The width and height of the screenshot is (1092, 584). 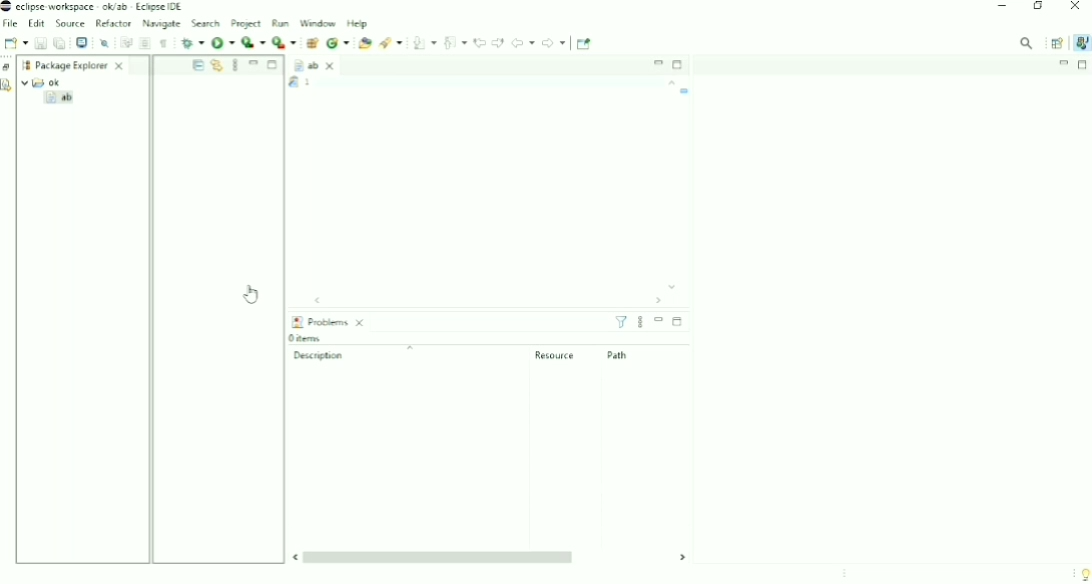 What do you see at coordinates (619, 355) in the screenshot?
I see `Path` at bounding box center [619, 355].